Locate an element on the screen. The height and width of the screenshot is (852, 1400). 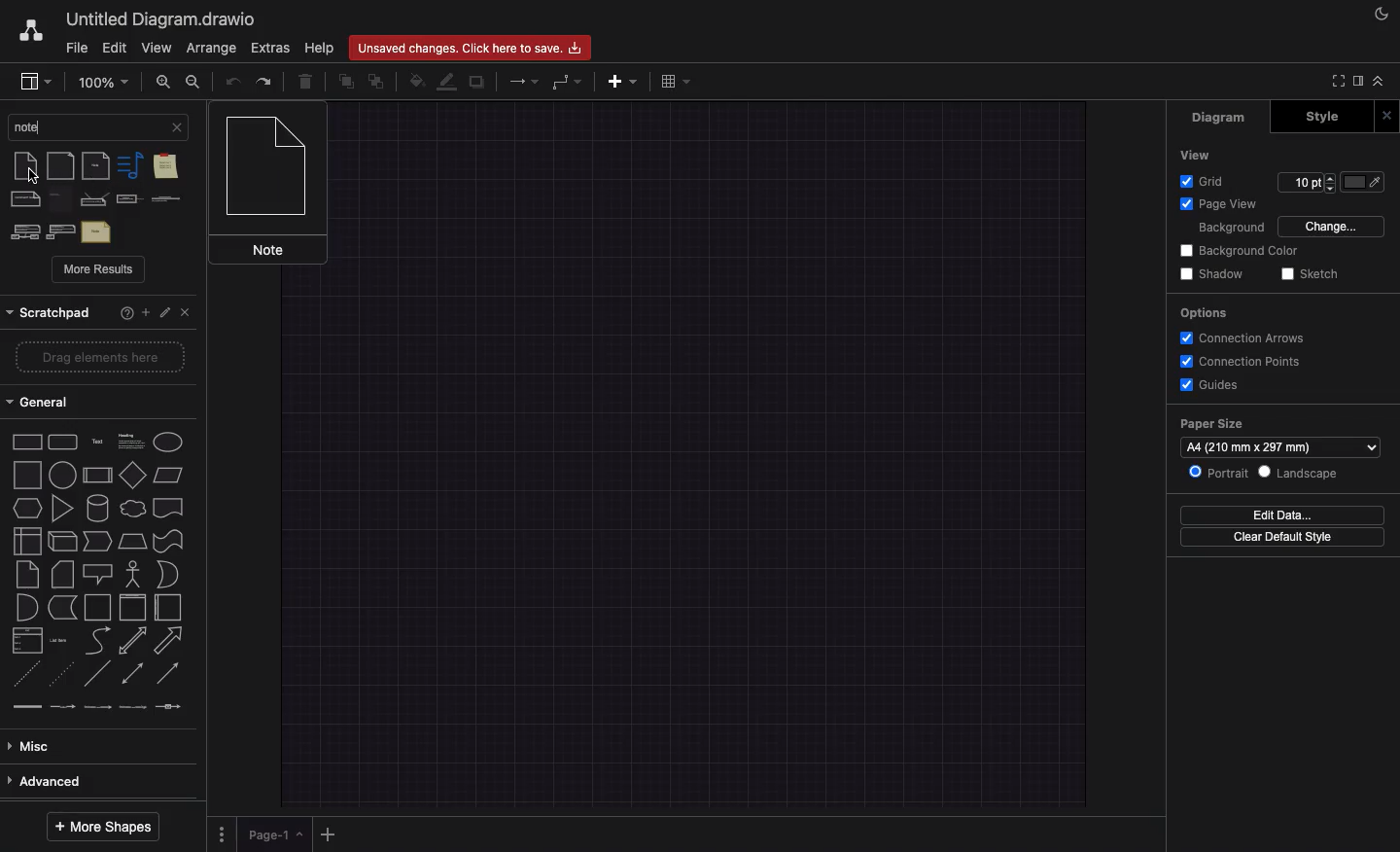
Background is located at coordinates (1227, 229).